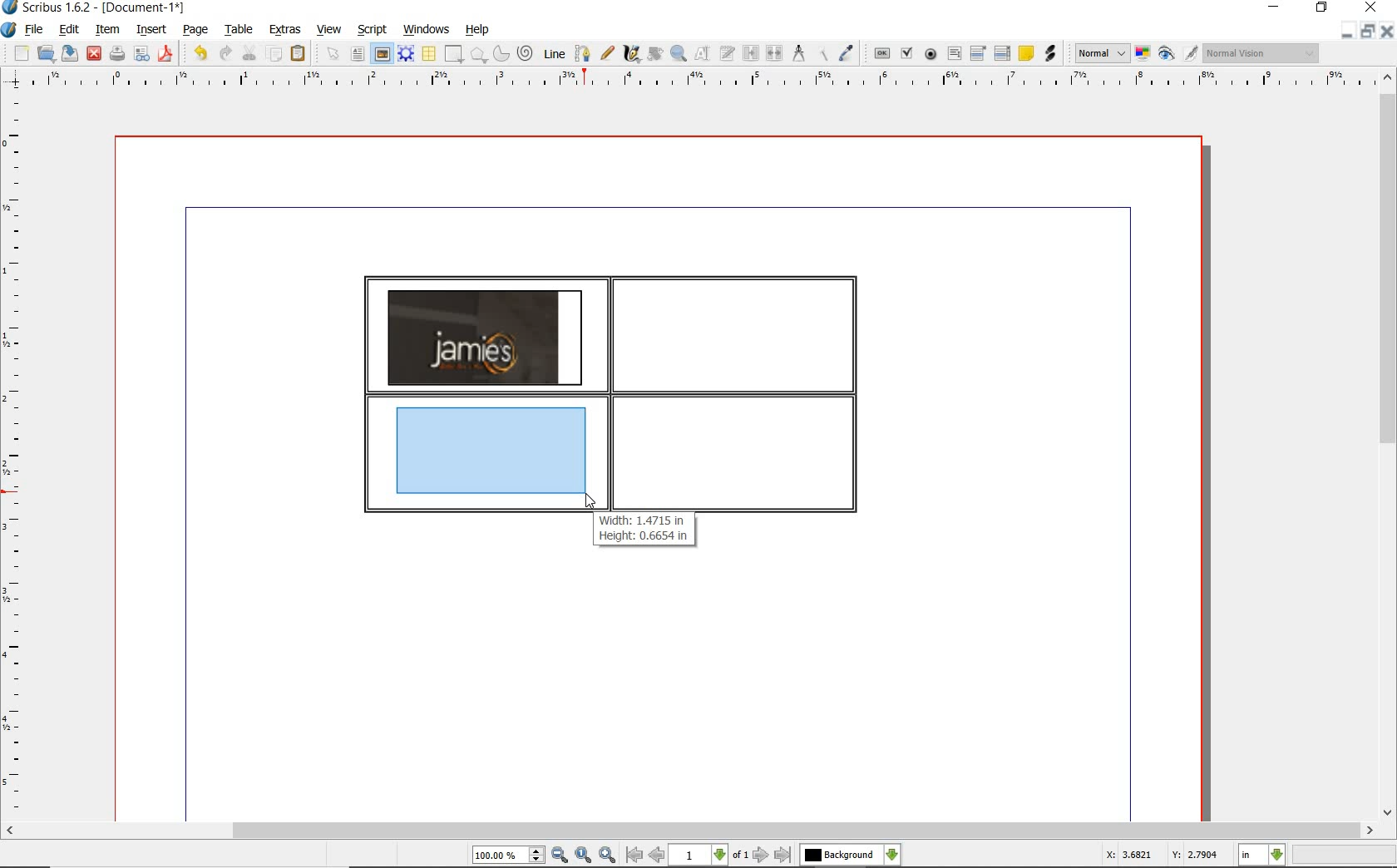  I want to click on edit, so click(67, 30).